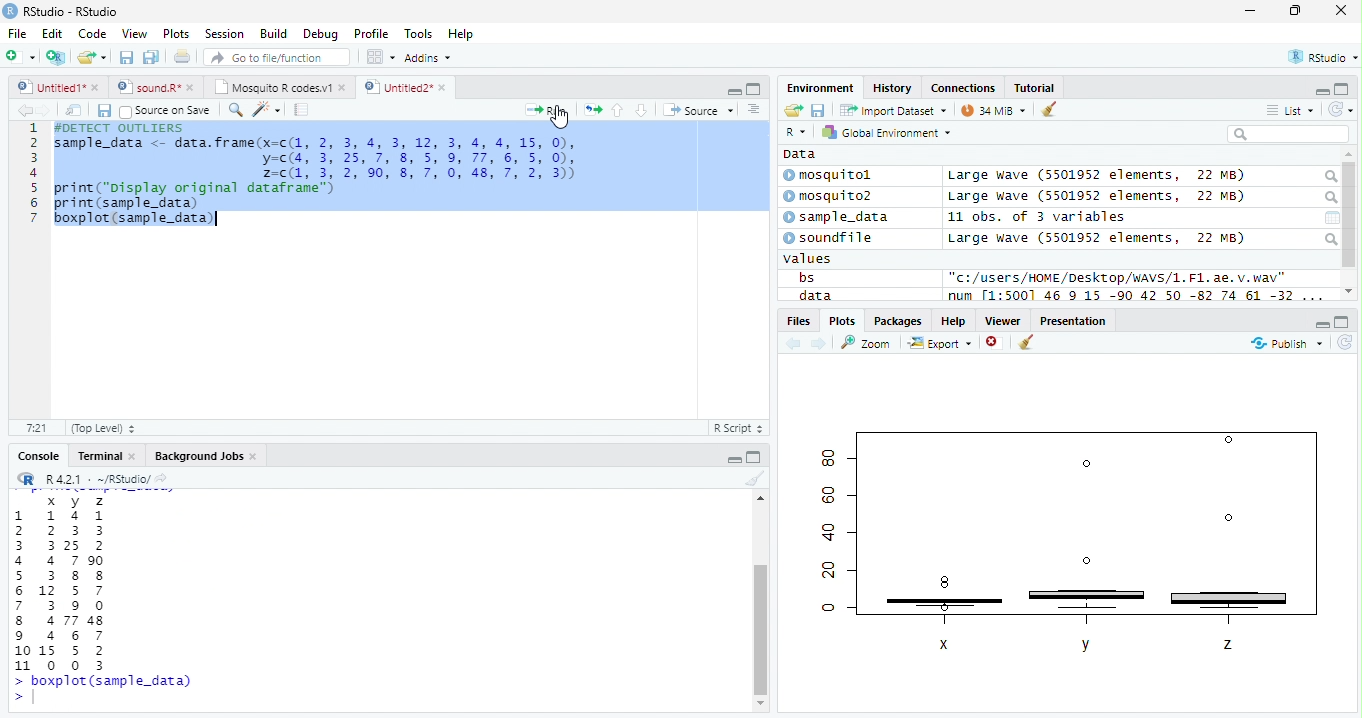  Describe the element at coordinates (1290, 110) in the screenshot. I see `List` at that location.